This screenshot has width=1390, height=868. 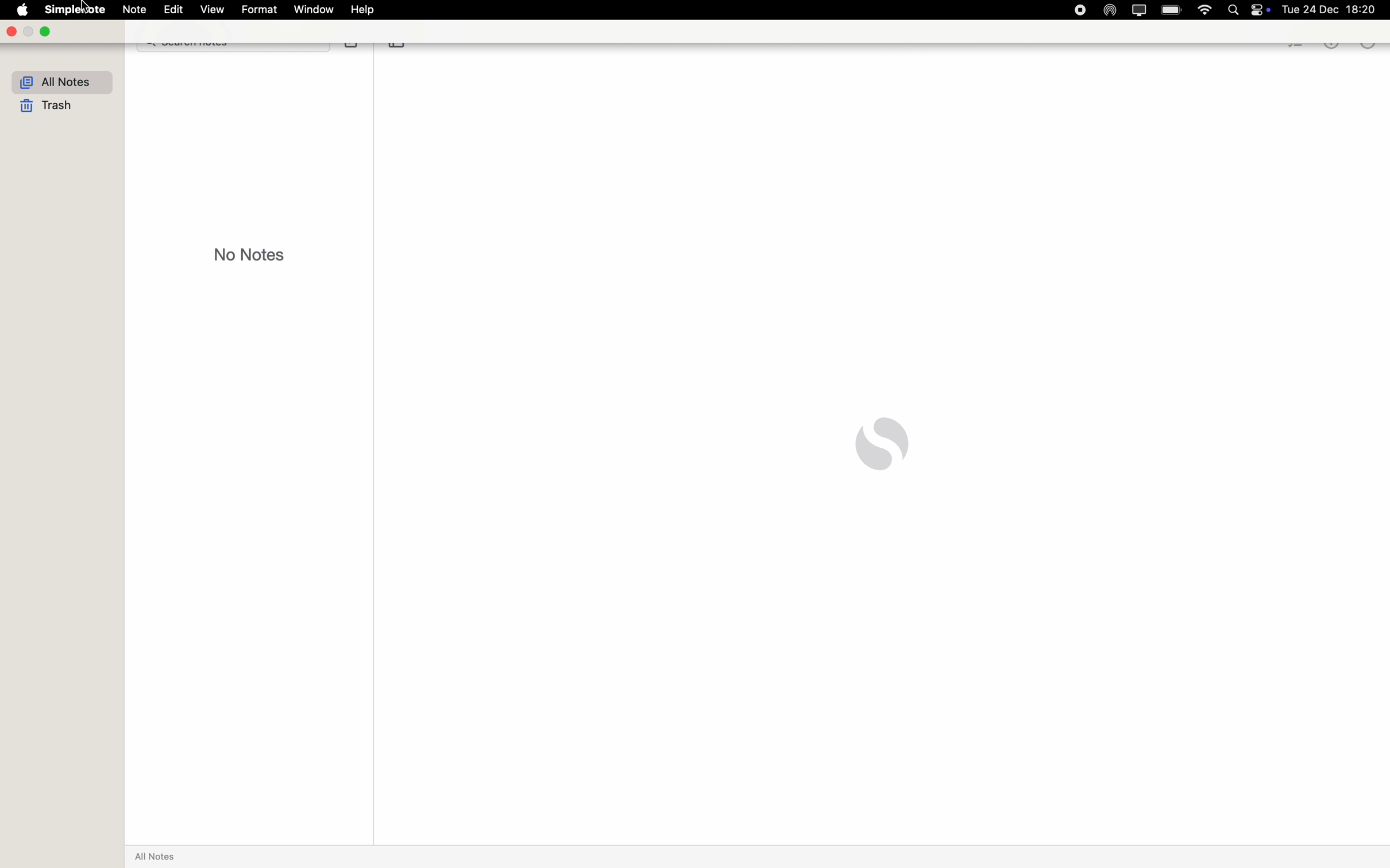 I want to click on no notes, so click(x=250, y=254).